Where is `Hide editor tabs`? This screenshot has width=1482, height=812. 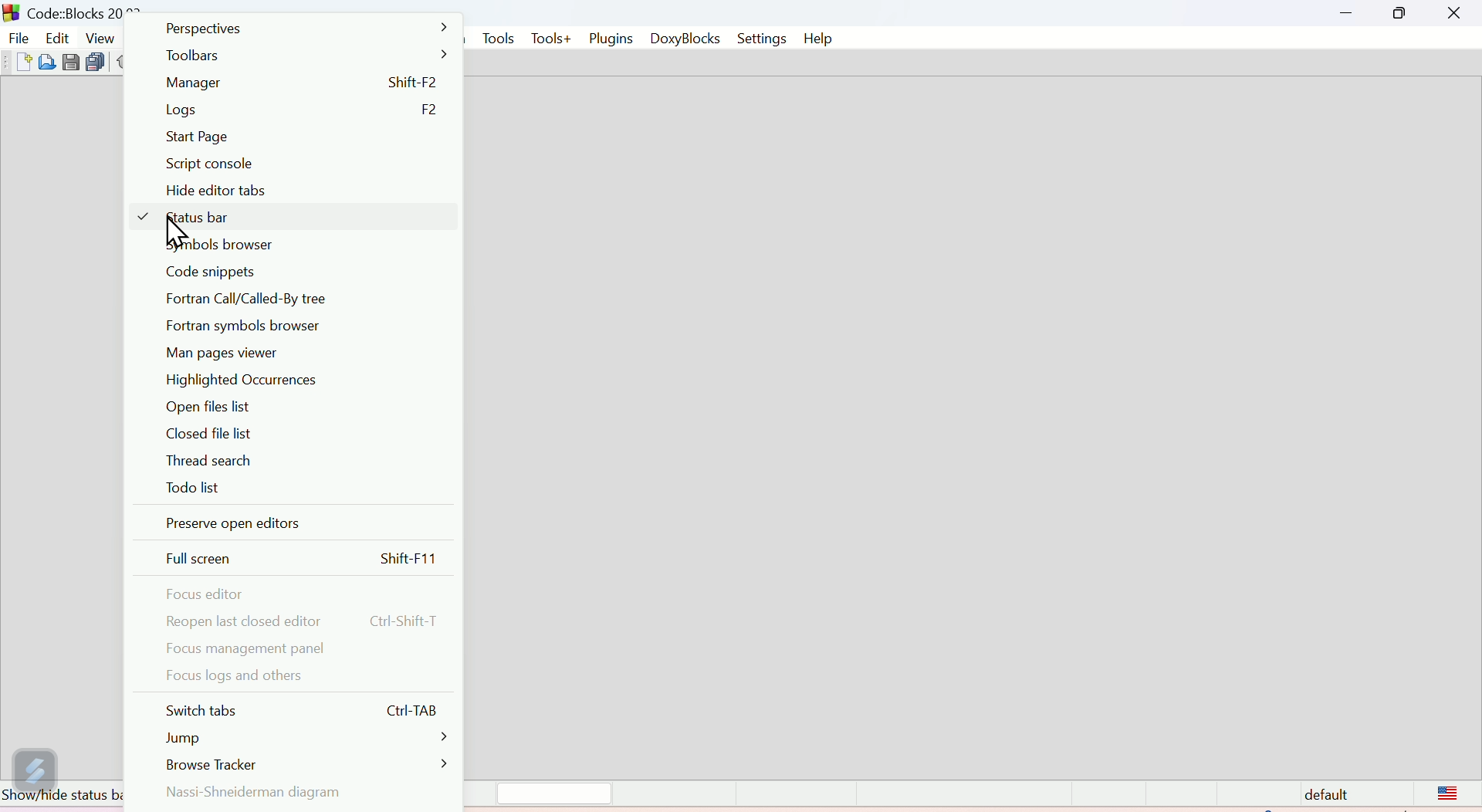 Hide editor tabs is located at coordinates (242, 195).